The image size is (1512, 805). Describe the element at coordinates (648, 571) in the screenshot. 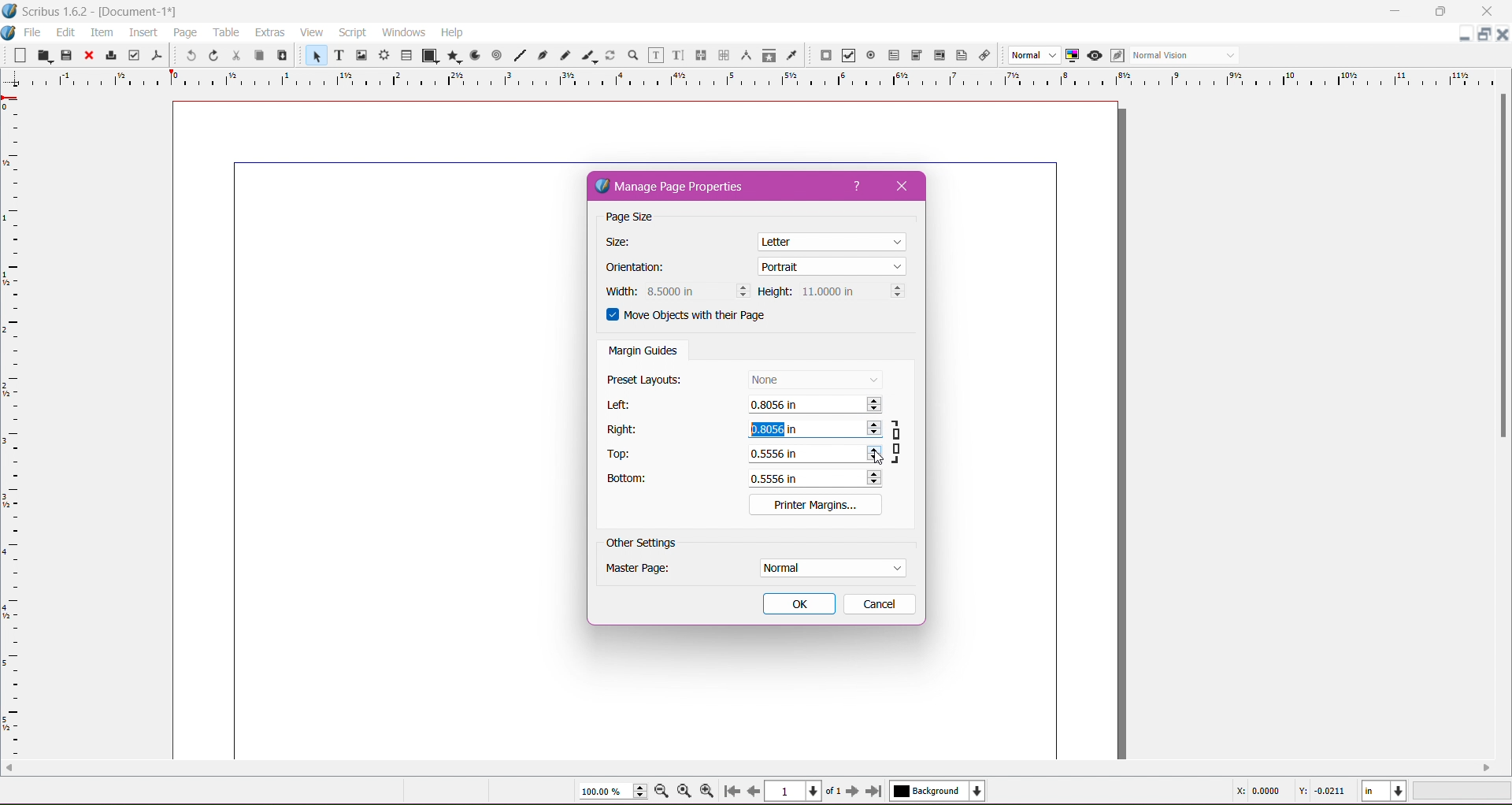

I see `Master Page` at that location.